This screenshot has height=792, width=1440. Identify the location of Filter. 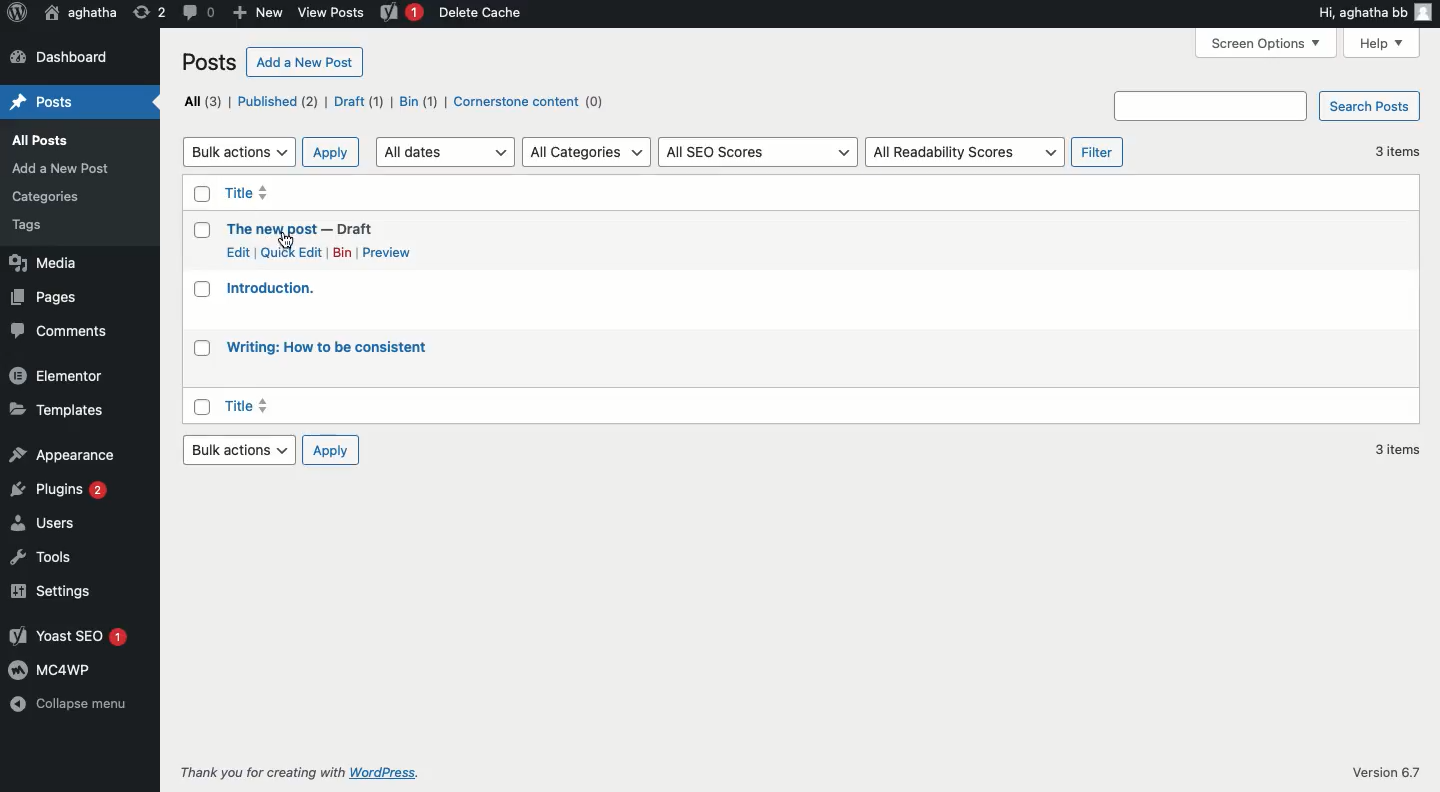
(1098, 152).